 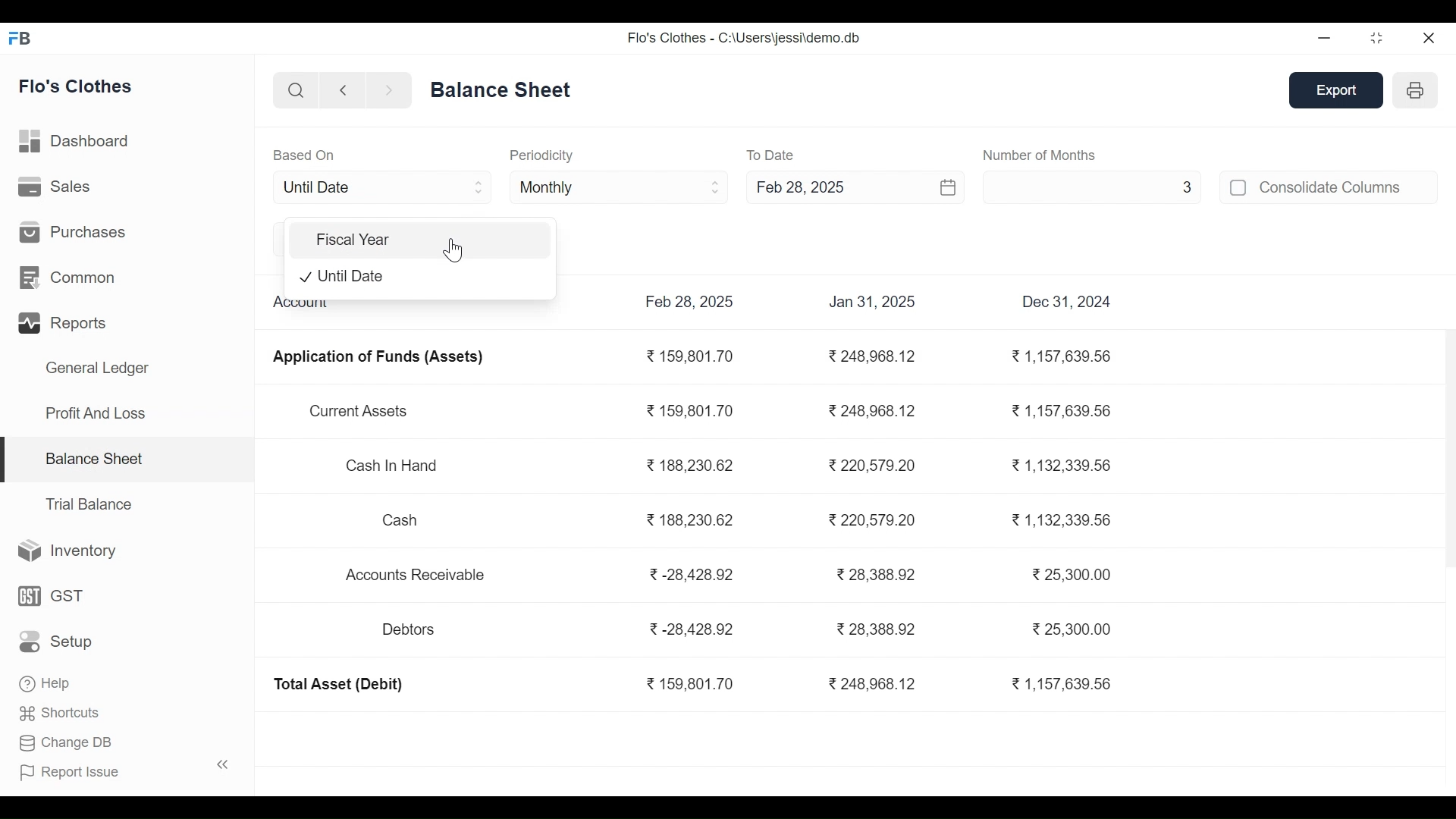 I want to click on print, so click(x=1417, y=89).